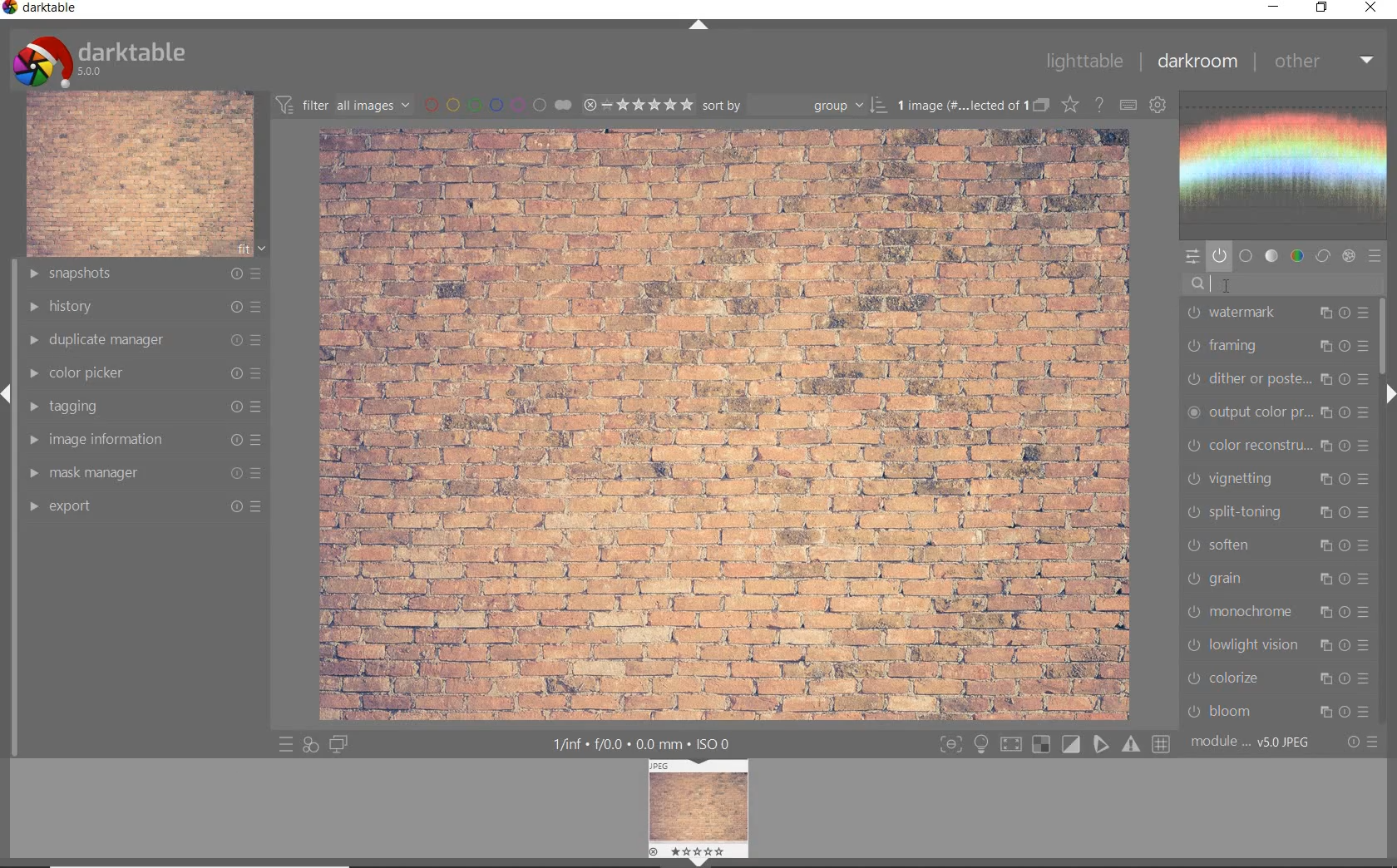 The height and width of the screenshot is (868, 1397). What do you see at coordinates (1040, 106) in the screenshot?
I see `collapse grouped image` at bounding box center [1040, 106].